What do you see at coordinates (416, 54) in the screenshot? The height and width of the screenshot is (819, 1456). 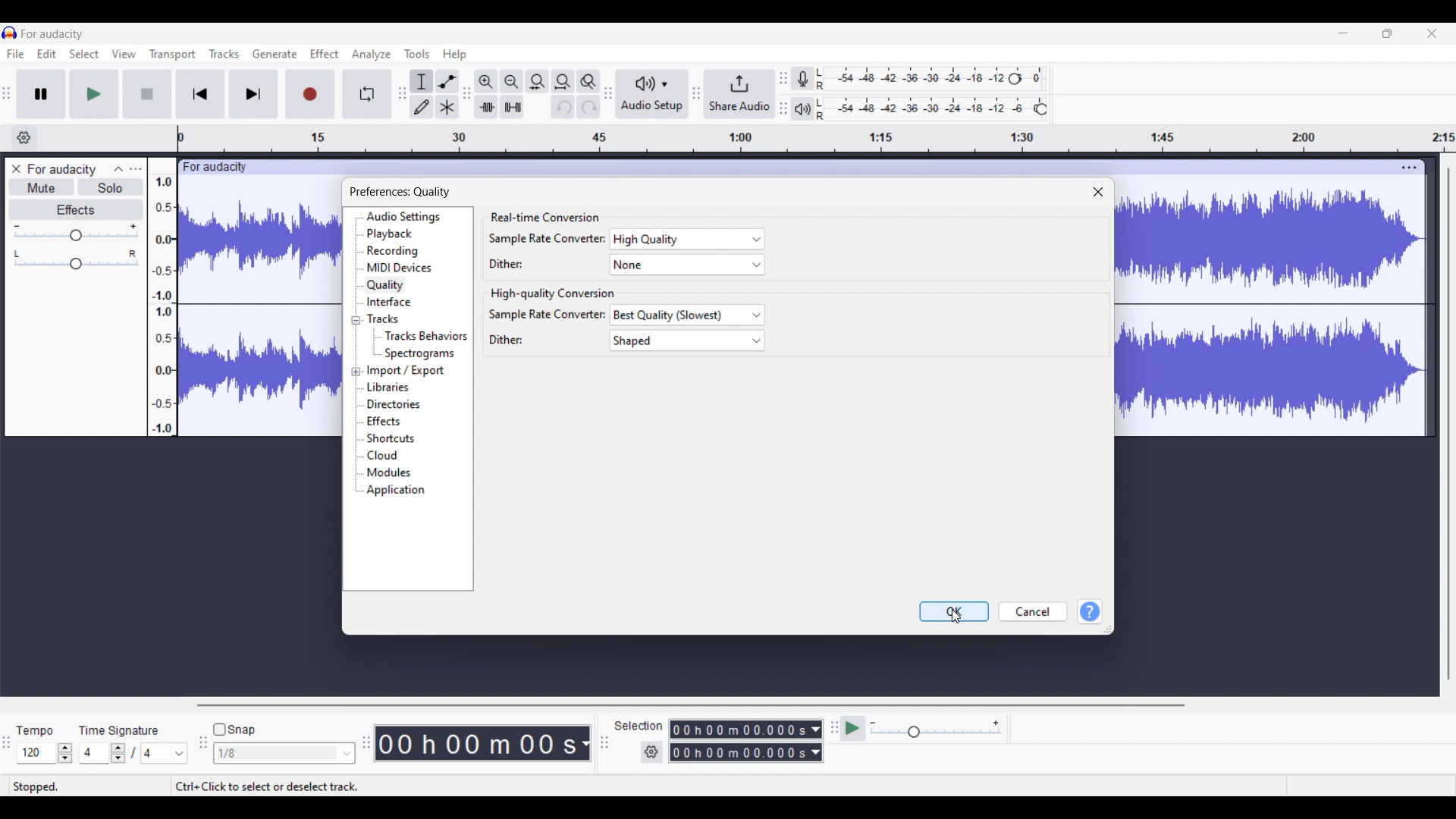 I see `Tools menu` at bounding box center [416, 54].